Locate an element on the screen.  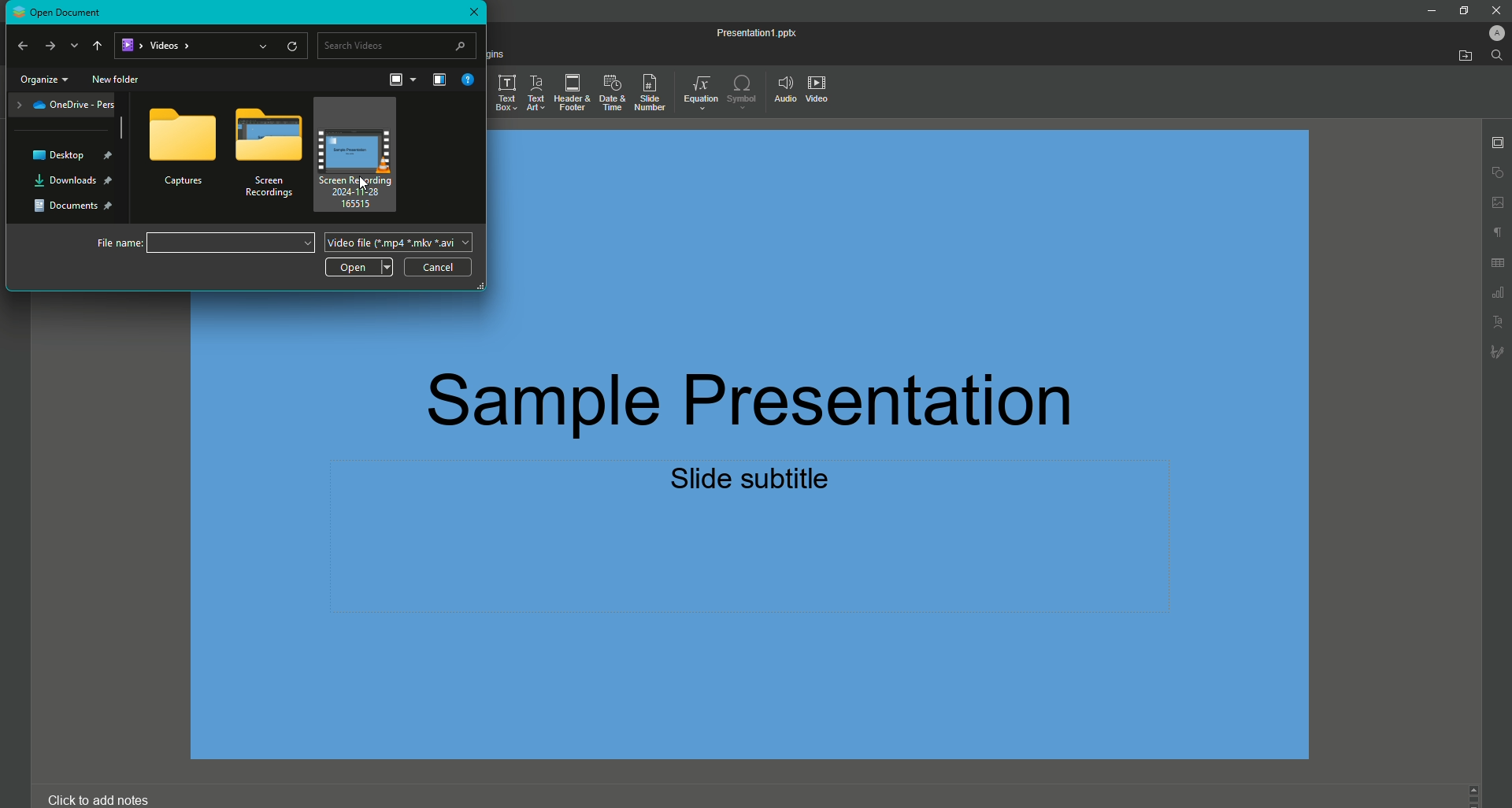
Move Up is located at coordinates (98, 45).